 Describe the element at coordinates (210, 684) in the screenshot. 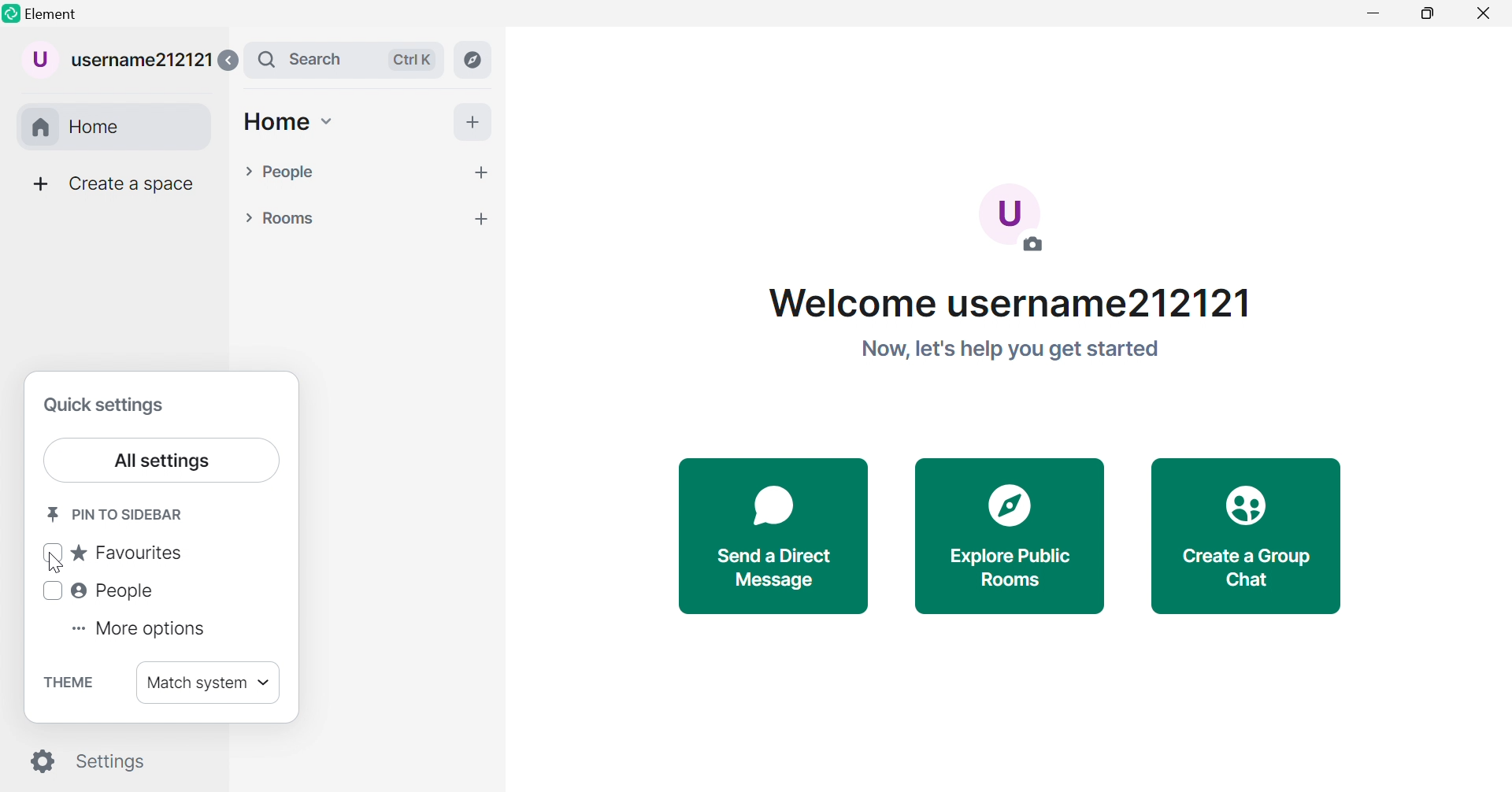

I see `Match system` at that location.